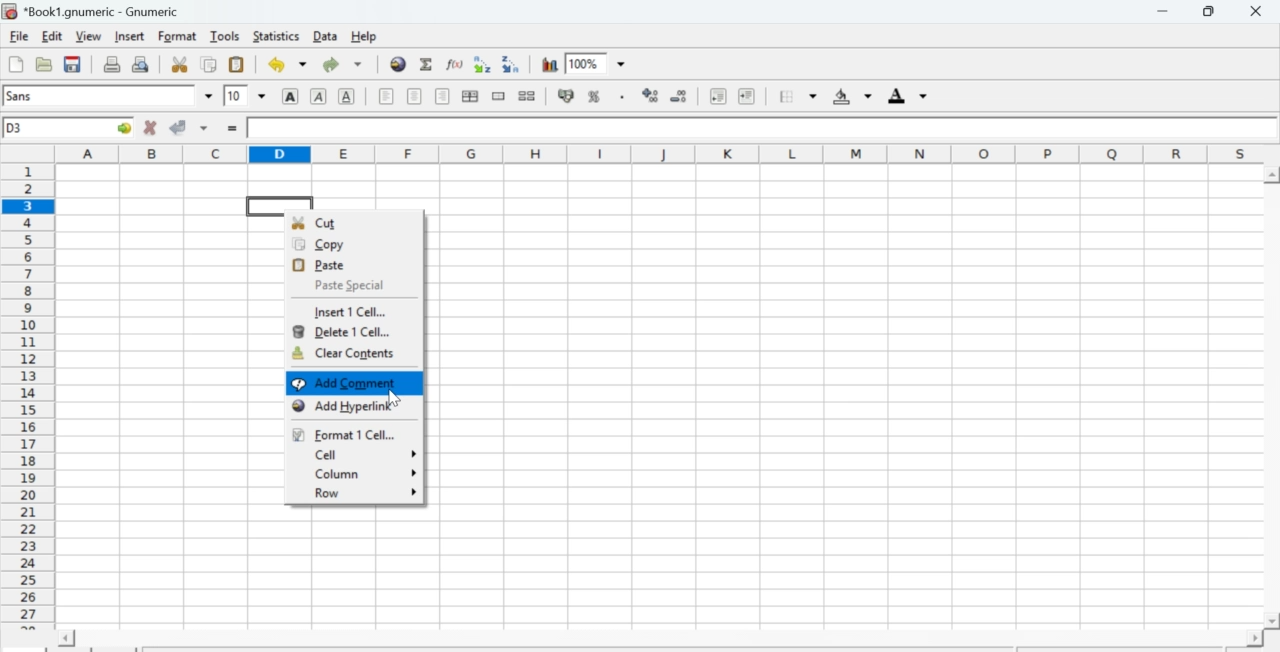  I want to click on Bold, so click(287, 96).